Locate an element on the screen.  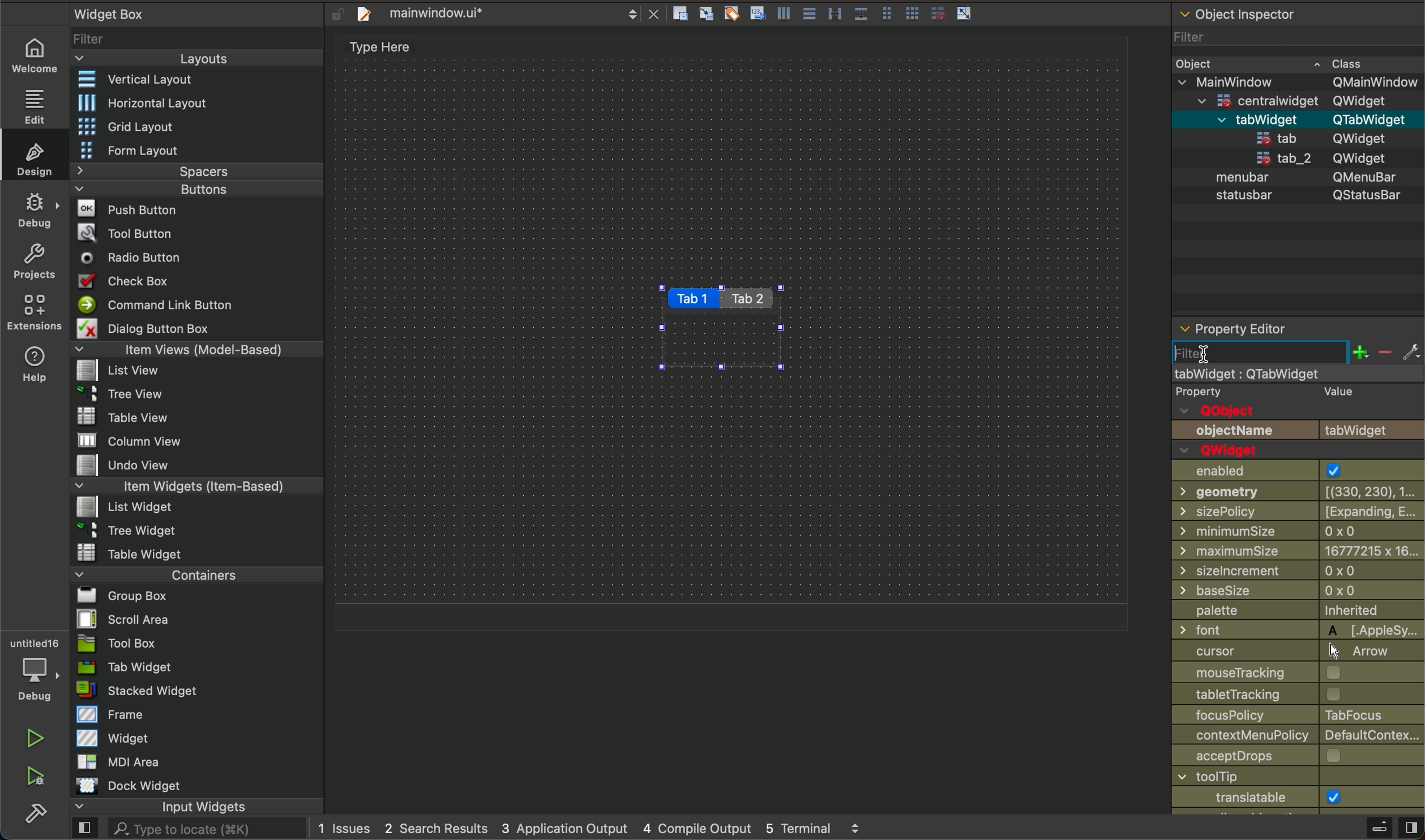
 Grid Layout is located at coordinates (120, 126).